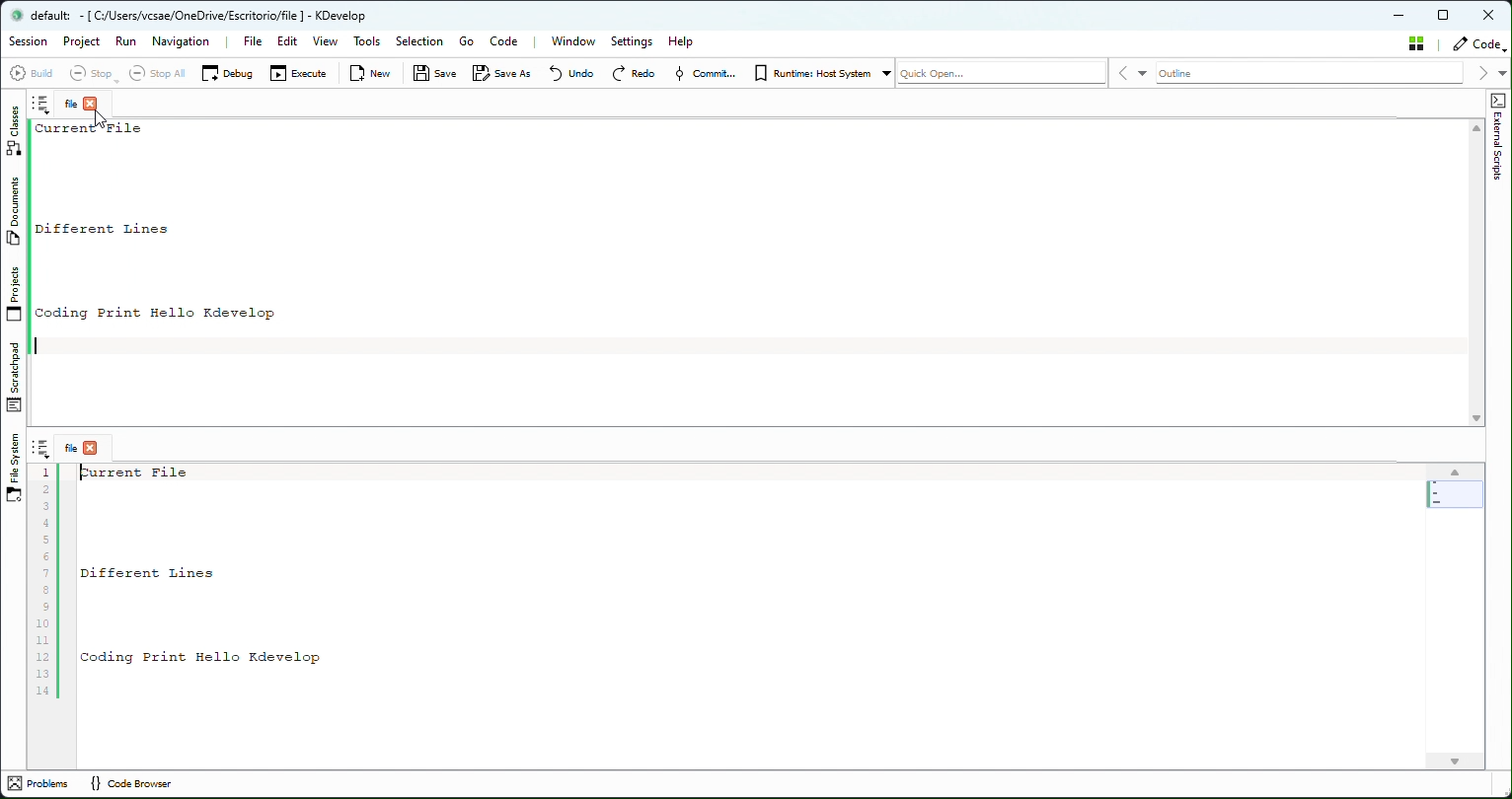  I want to click on Stash, so click(1416, 43).